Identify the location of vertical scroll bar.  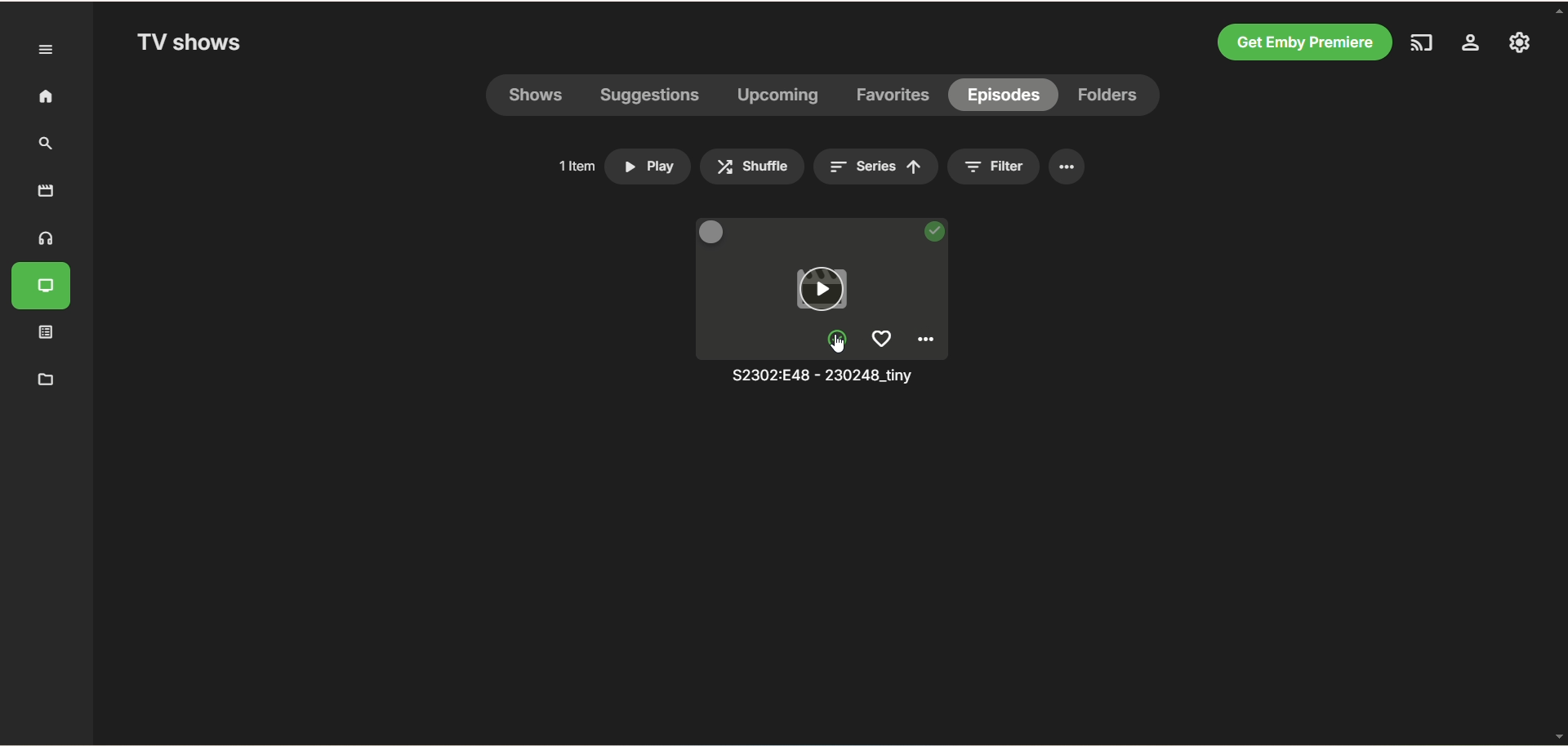
(1558, 375).